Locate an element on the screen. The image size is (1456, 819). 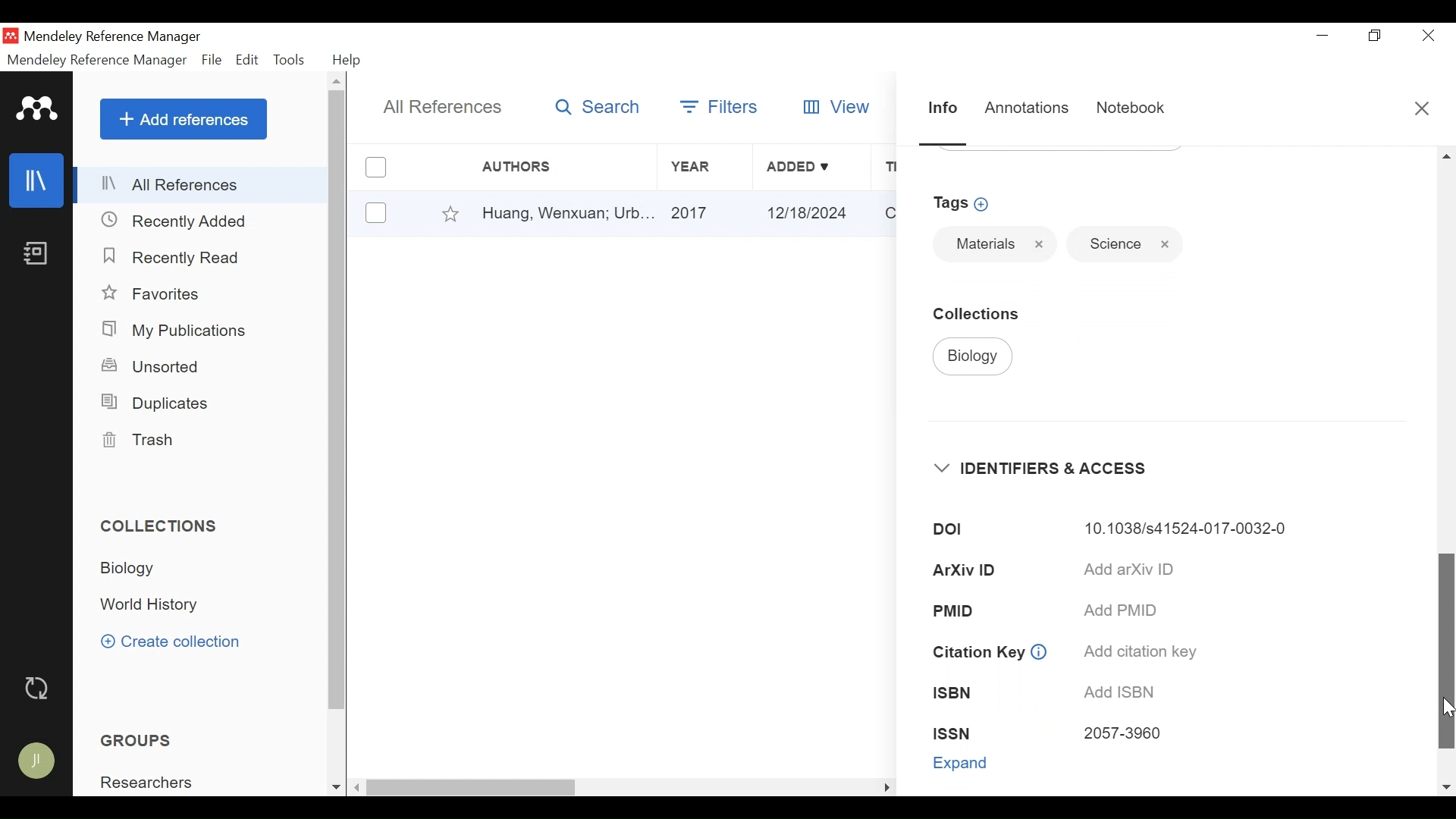
Mendeley Desktop Icon is located at coordinates (11, 36).